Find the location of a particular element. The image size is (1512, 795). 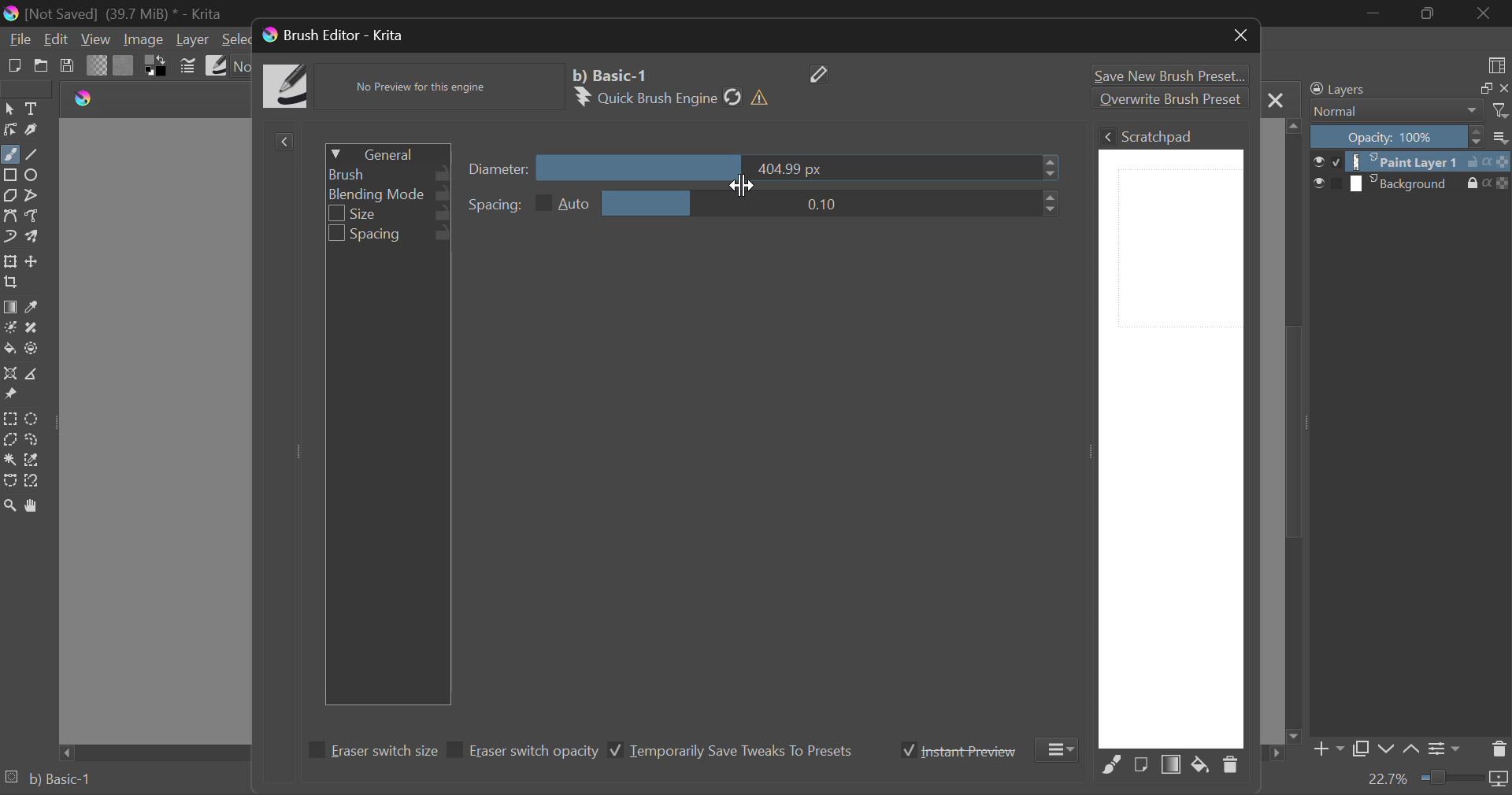

Scroll Bar is located at coordinates (1295, 430).